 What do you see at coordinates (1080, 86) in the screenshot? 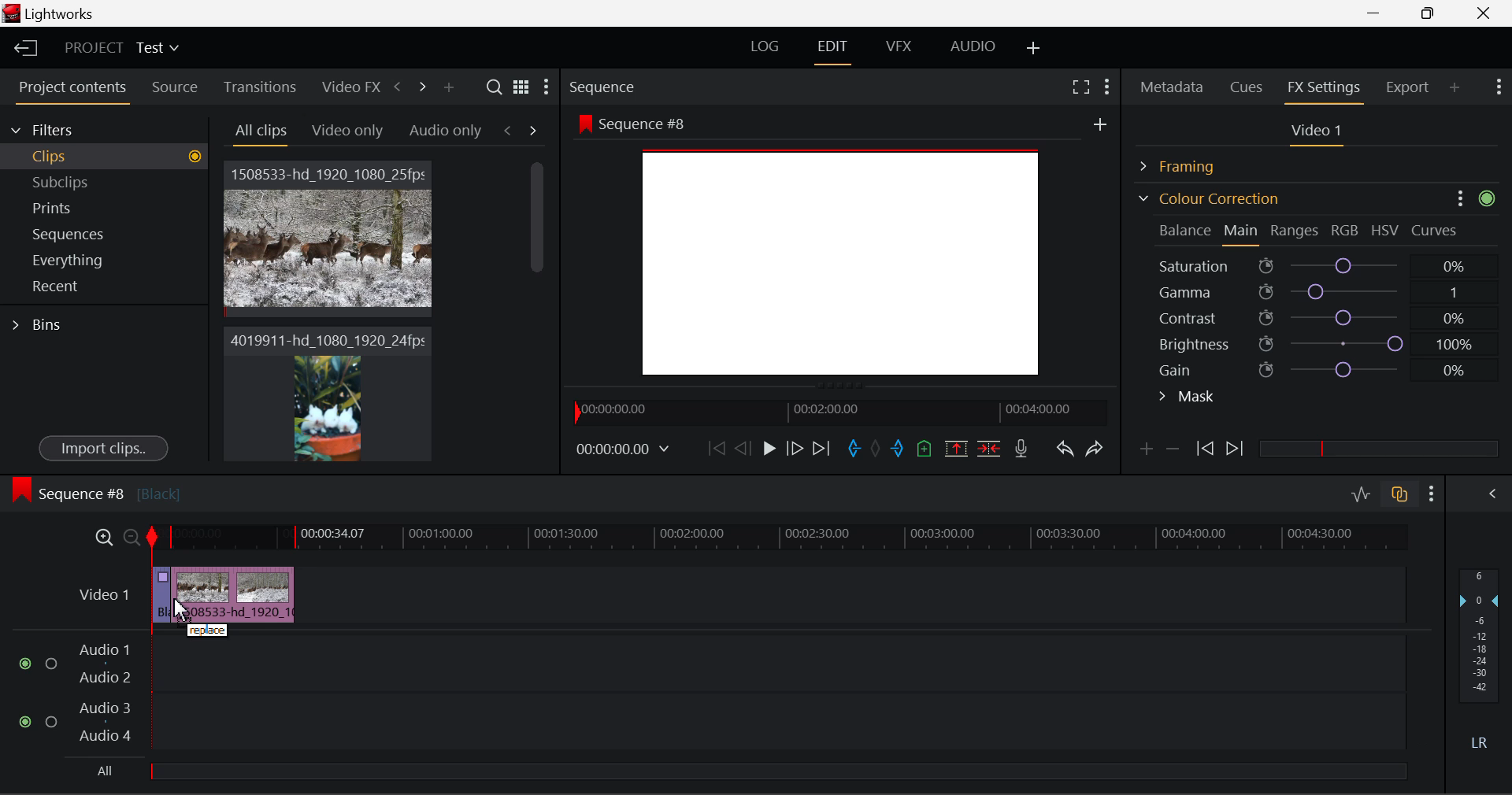
I see `Full Screen` at bounding box center [1080, 86].